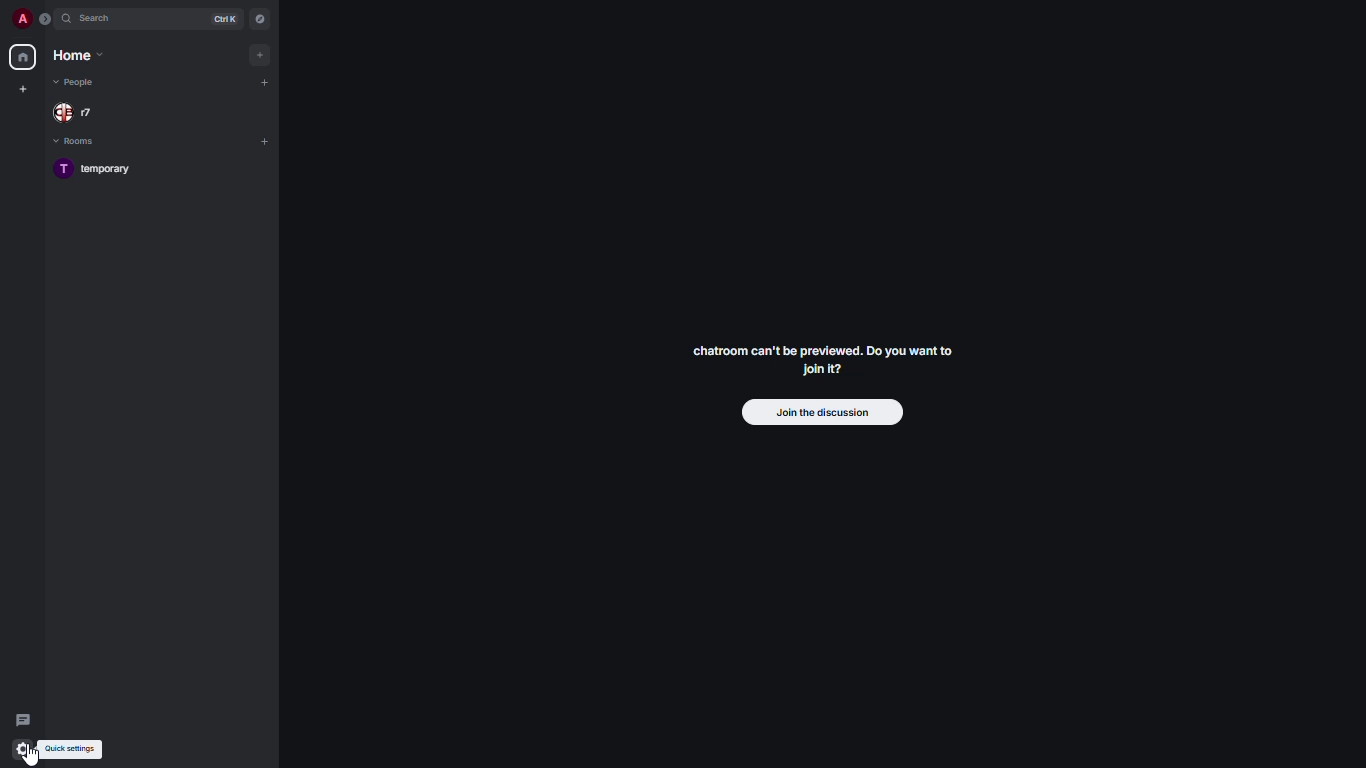  Describe the element at coordinates (22, 750) in the screenshot. I see `cursor` at that location.